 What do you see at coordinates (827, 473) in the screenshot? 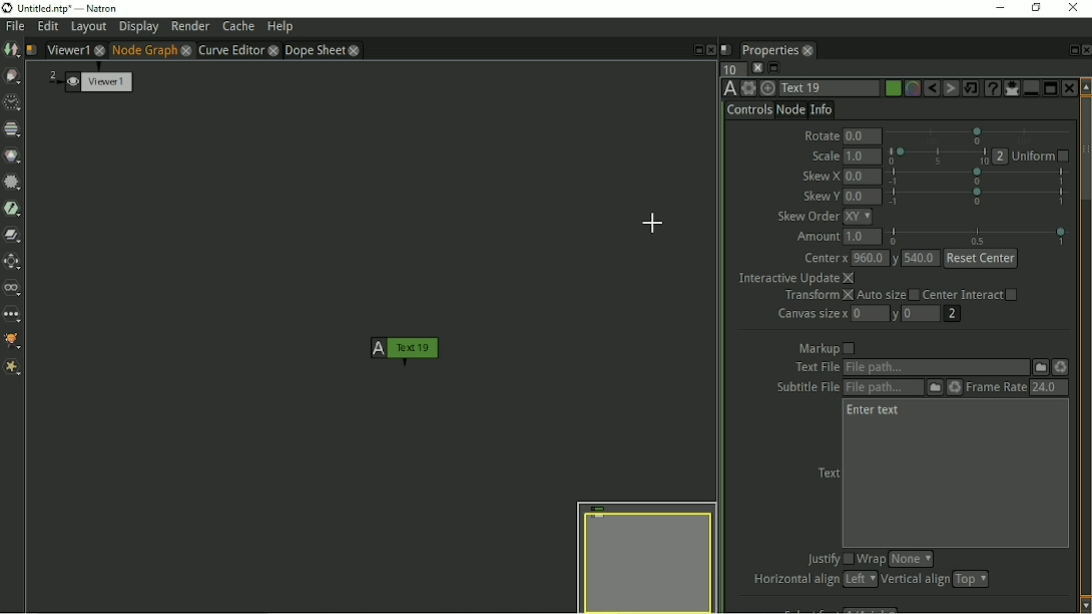
I see `Text` at bounding box center [827, 473].